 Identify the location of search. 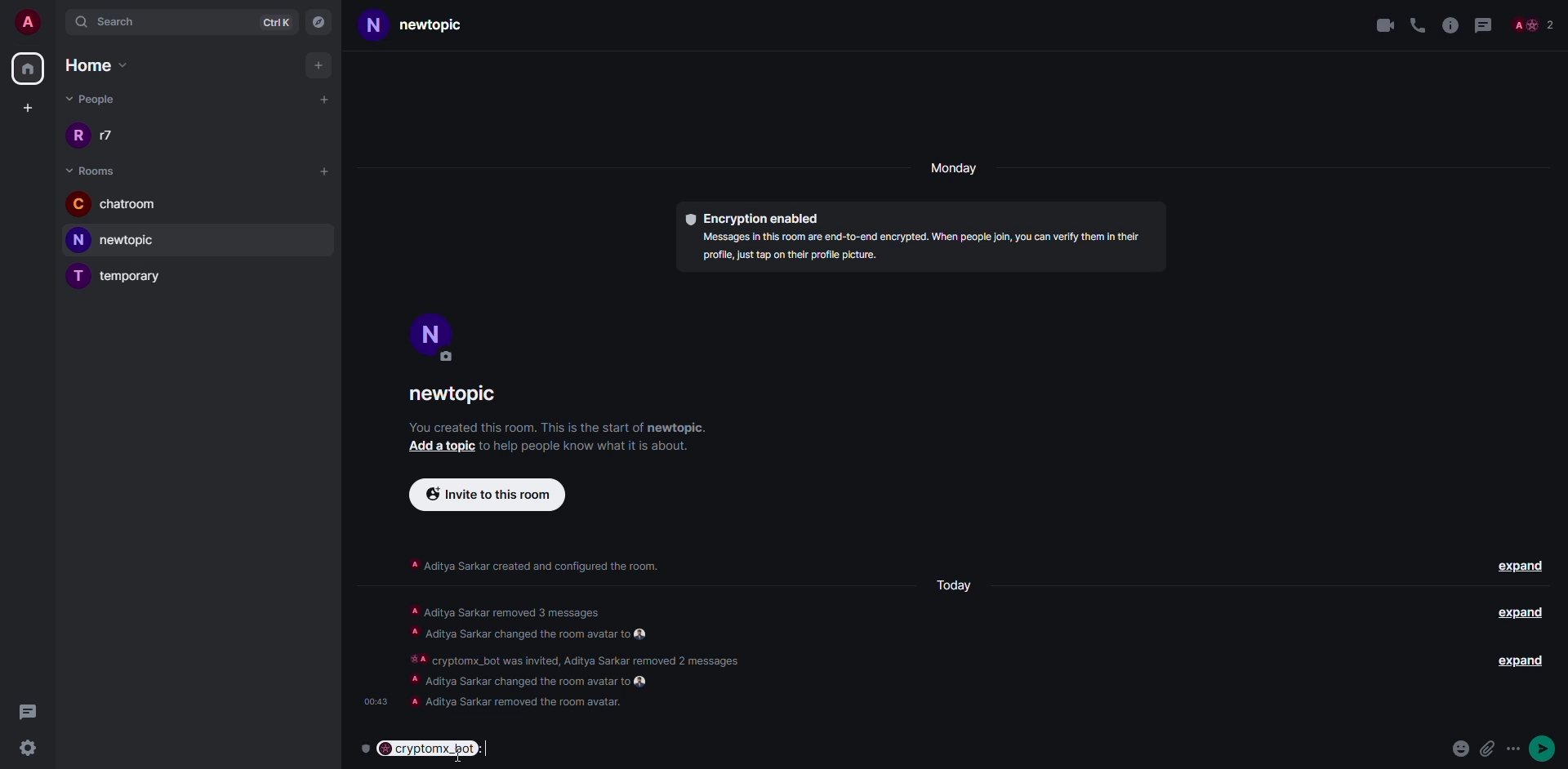
(118, 21).